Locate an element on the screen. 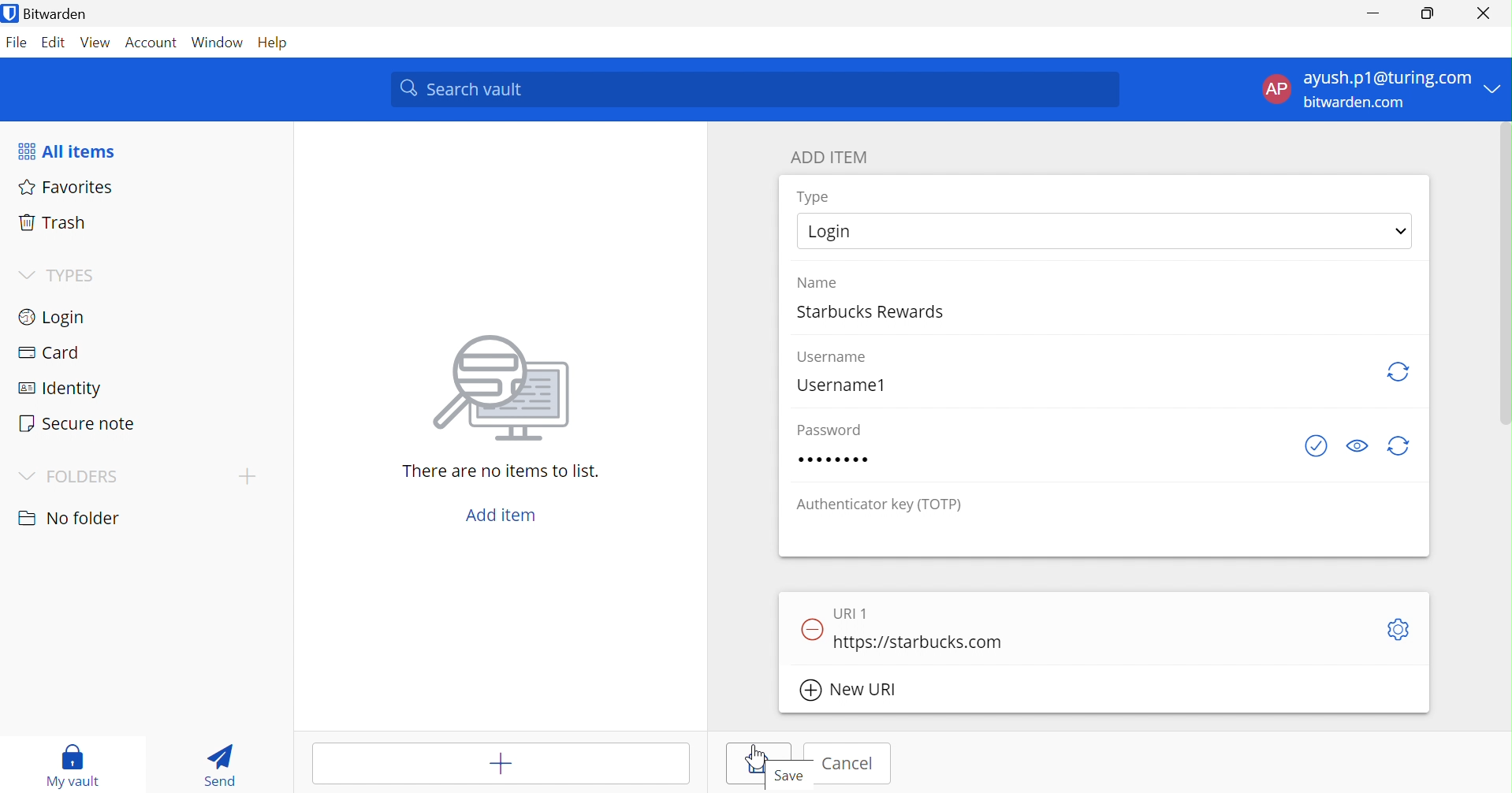 The height and width of the screenshot is (793, 1512). Save is located at coordinates (791, 776).